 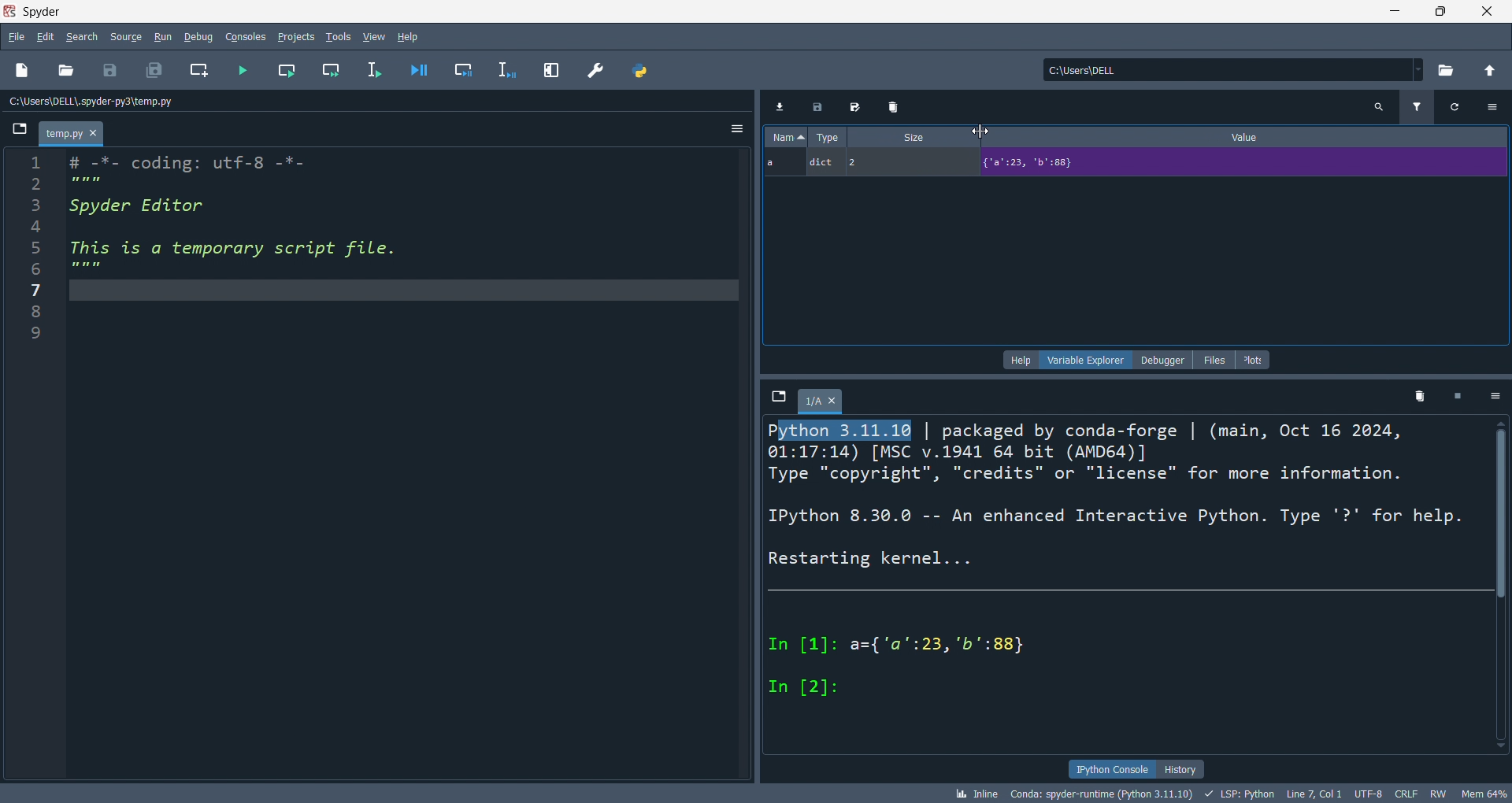 What do you see at coordinates (1134, 586) in the screenshot?
I see `ipython console pane` at bounding box center [1134, 586].